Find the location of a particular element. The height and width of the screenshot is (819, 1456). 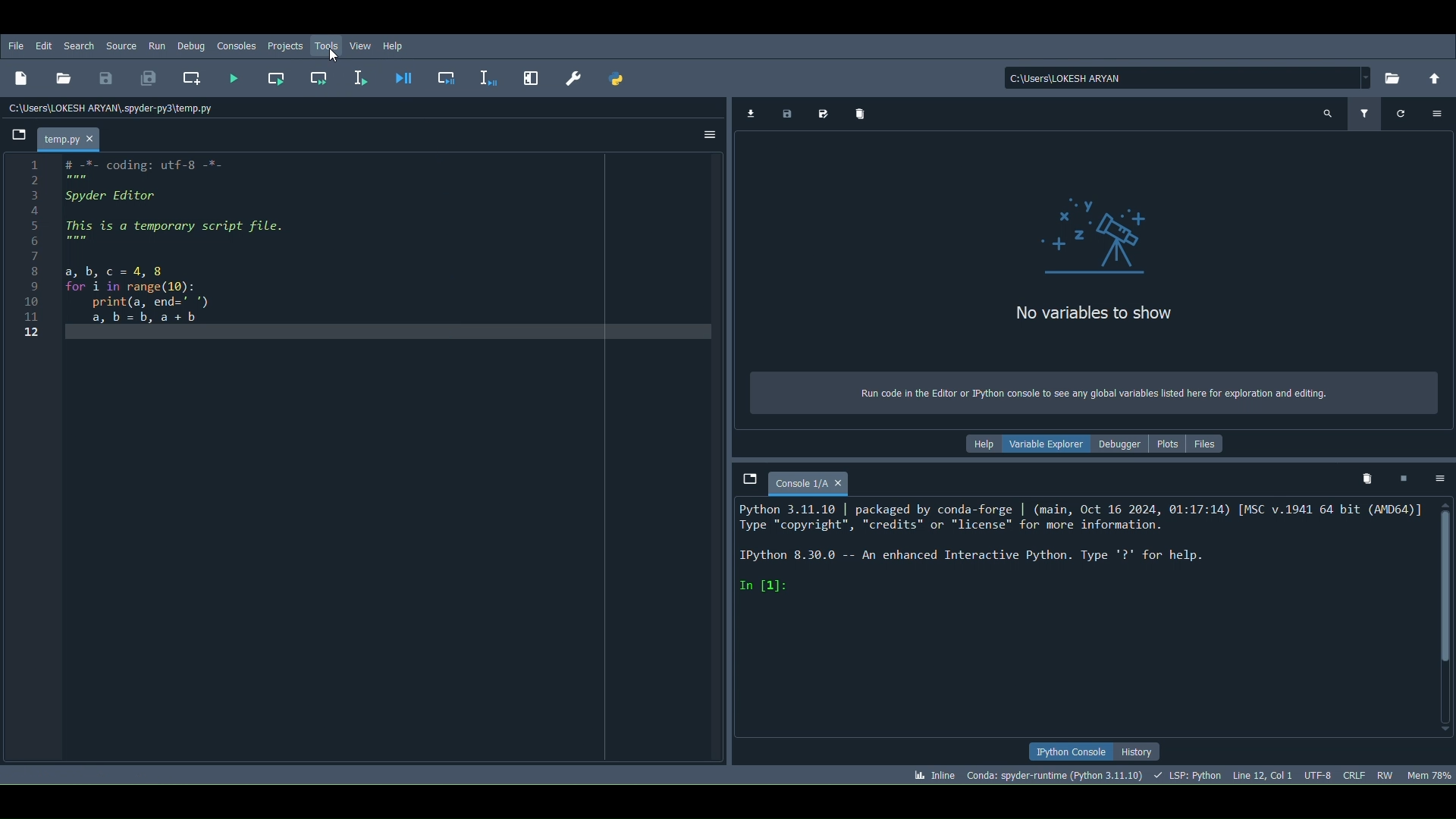

Tools is located at coordinates (329, 45).